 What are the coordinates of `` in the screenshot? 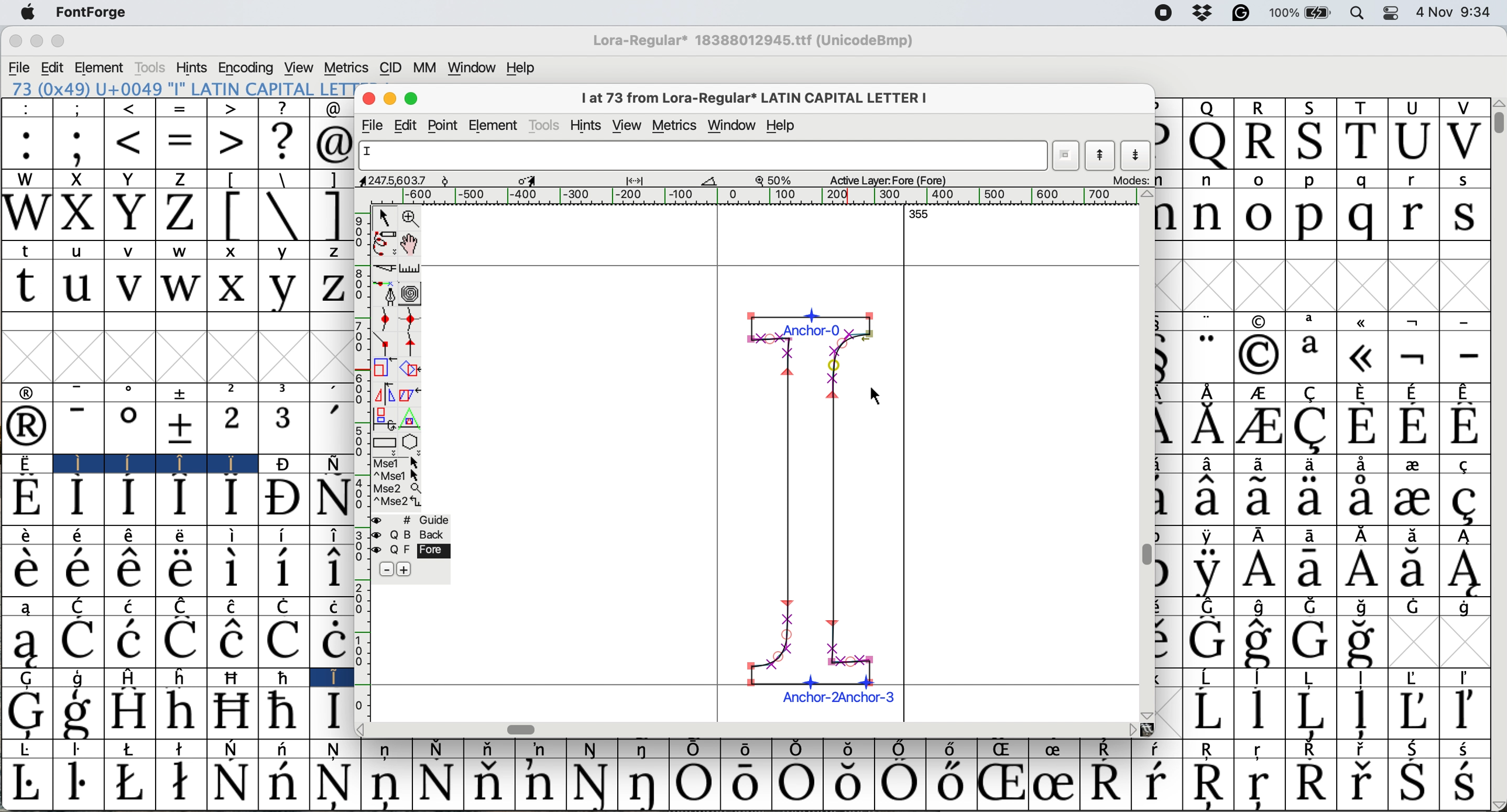 It's located at (389, 179).